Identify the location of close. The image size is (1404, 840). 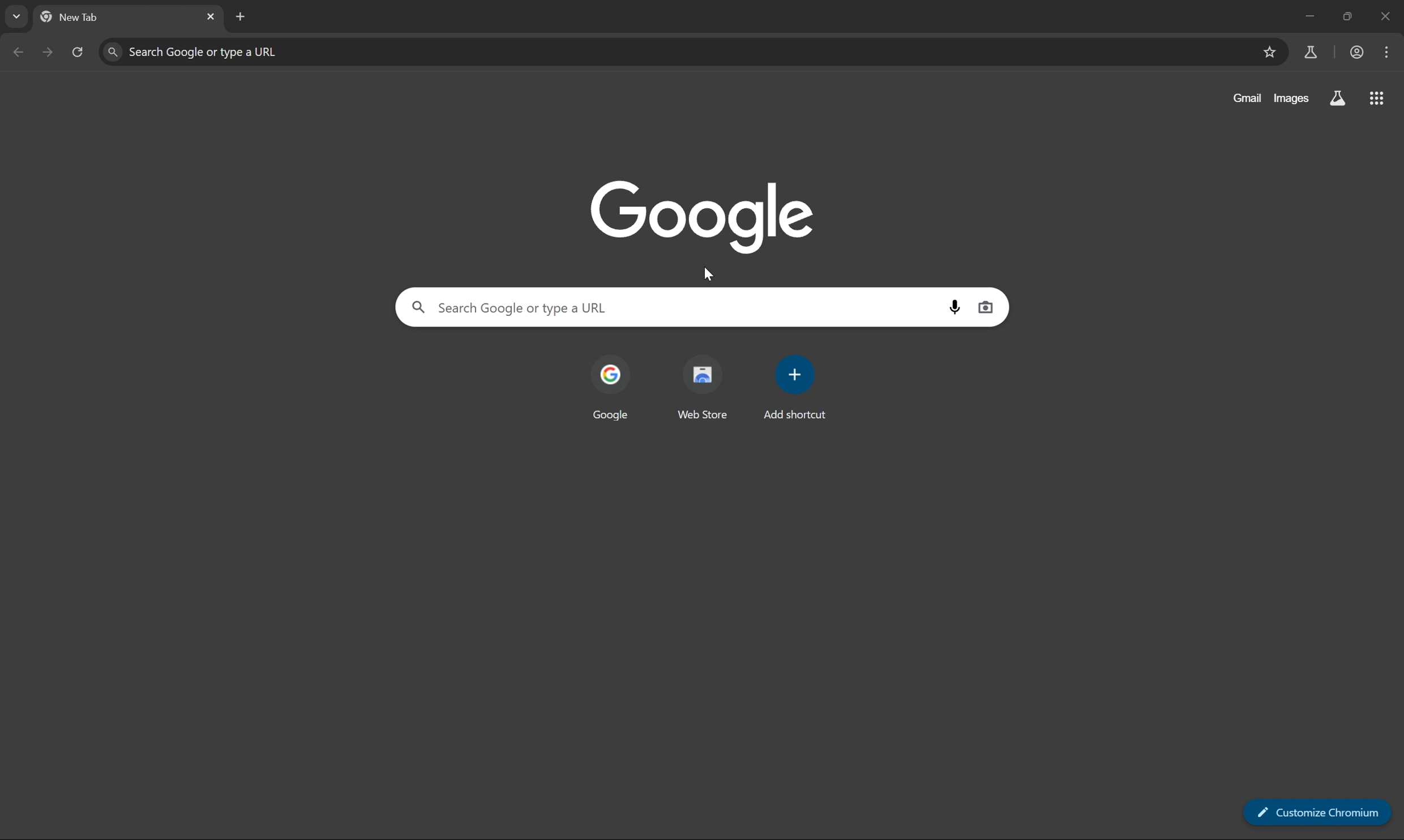
(1386, 15).